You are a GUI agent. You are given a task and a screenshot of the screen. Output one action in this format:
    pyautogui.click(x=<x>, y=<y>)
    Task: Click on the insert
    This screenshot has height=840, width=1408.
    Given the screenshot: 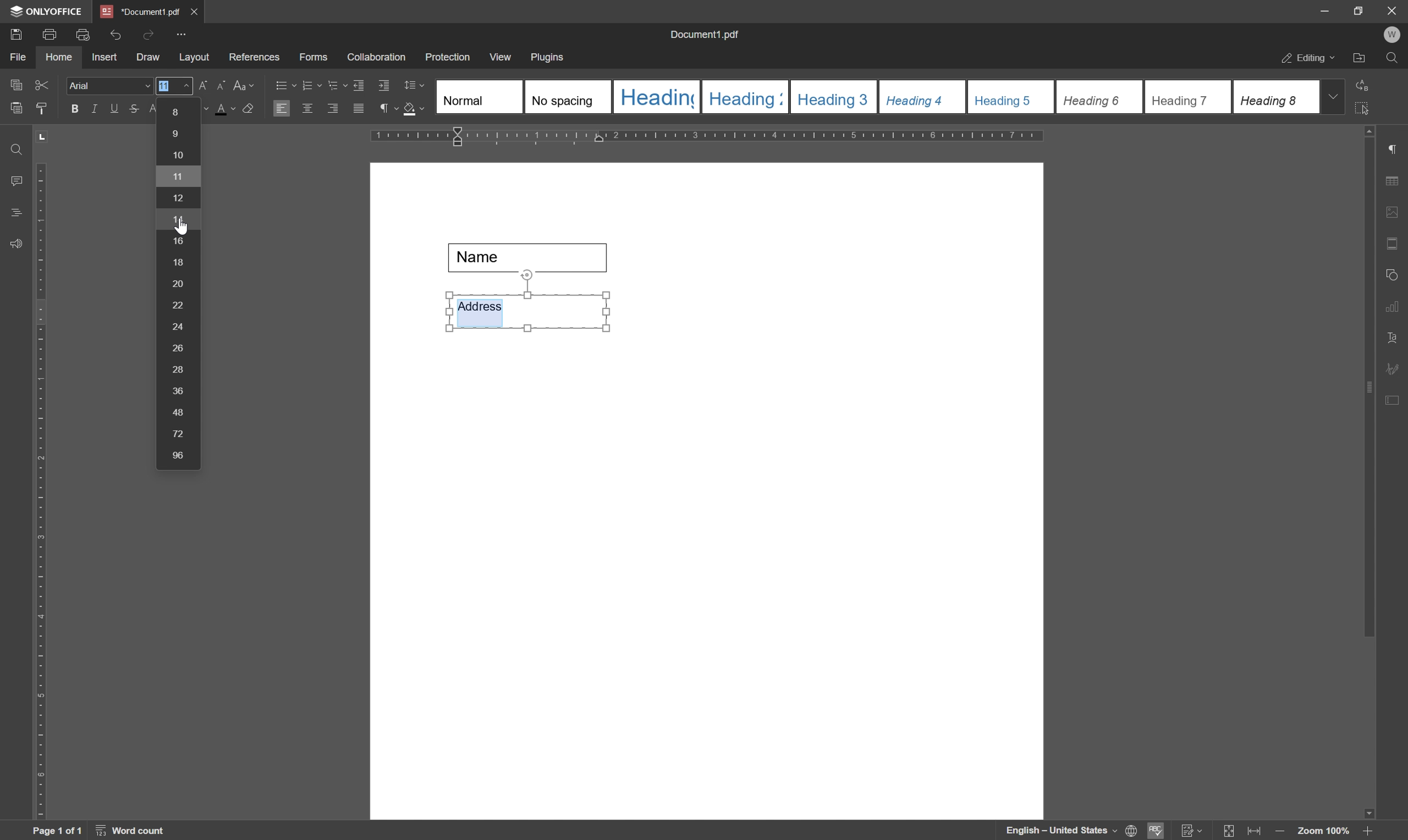 What is the action you would take?
    pyautogui.click(x=104, y=58)
    